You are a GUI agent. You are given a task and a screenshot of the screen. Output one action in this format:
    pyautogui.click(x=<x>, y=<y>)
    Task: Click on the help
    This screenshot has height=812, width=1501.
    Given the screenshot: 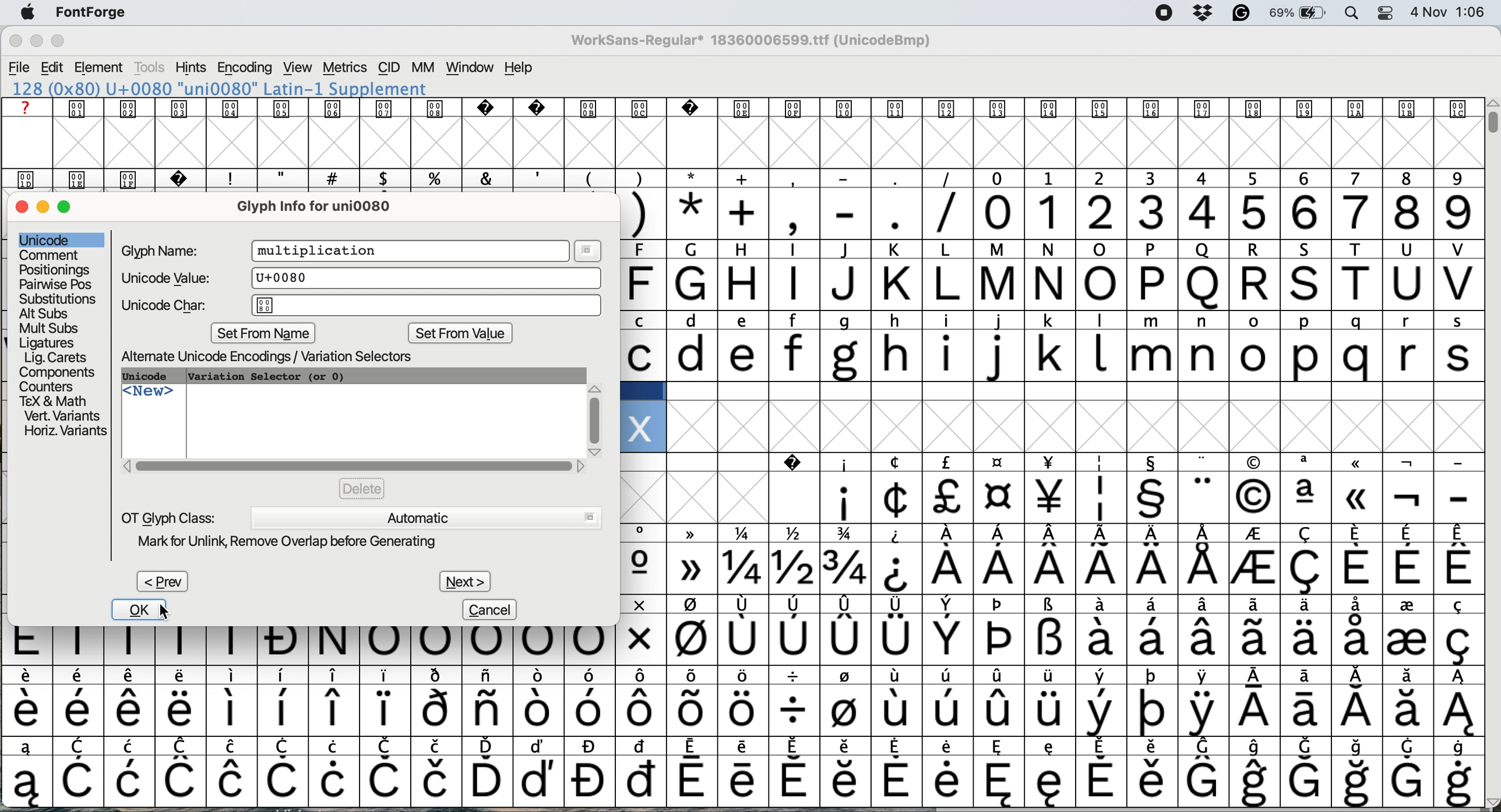 What is the action you would take?
    pyautogui.click(x=520, y=68)
    